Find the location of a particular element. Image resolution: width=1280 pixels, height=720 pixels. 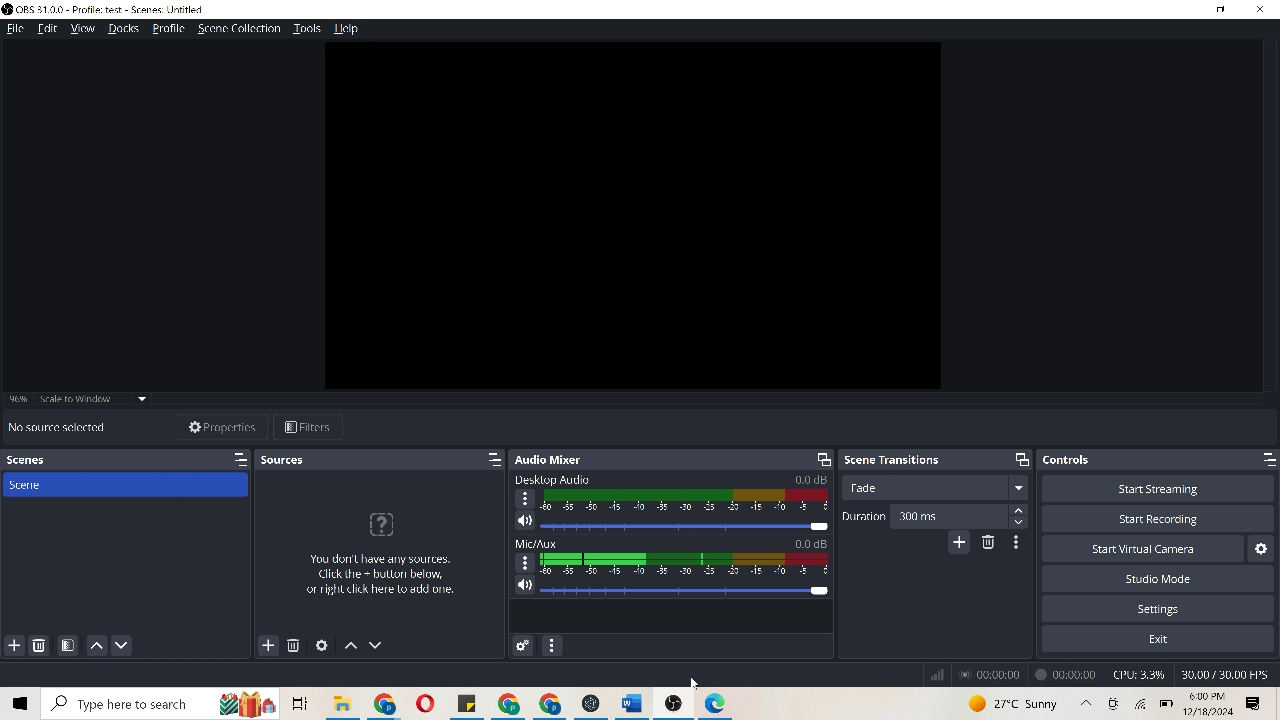

signal is located at coordinates (935, 672).